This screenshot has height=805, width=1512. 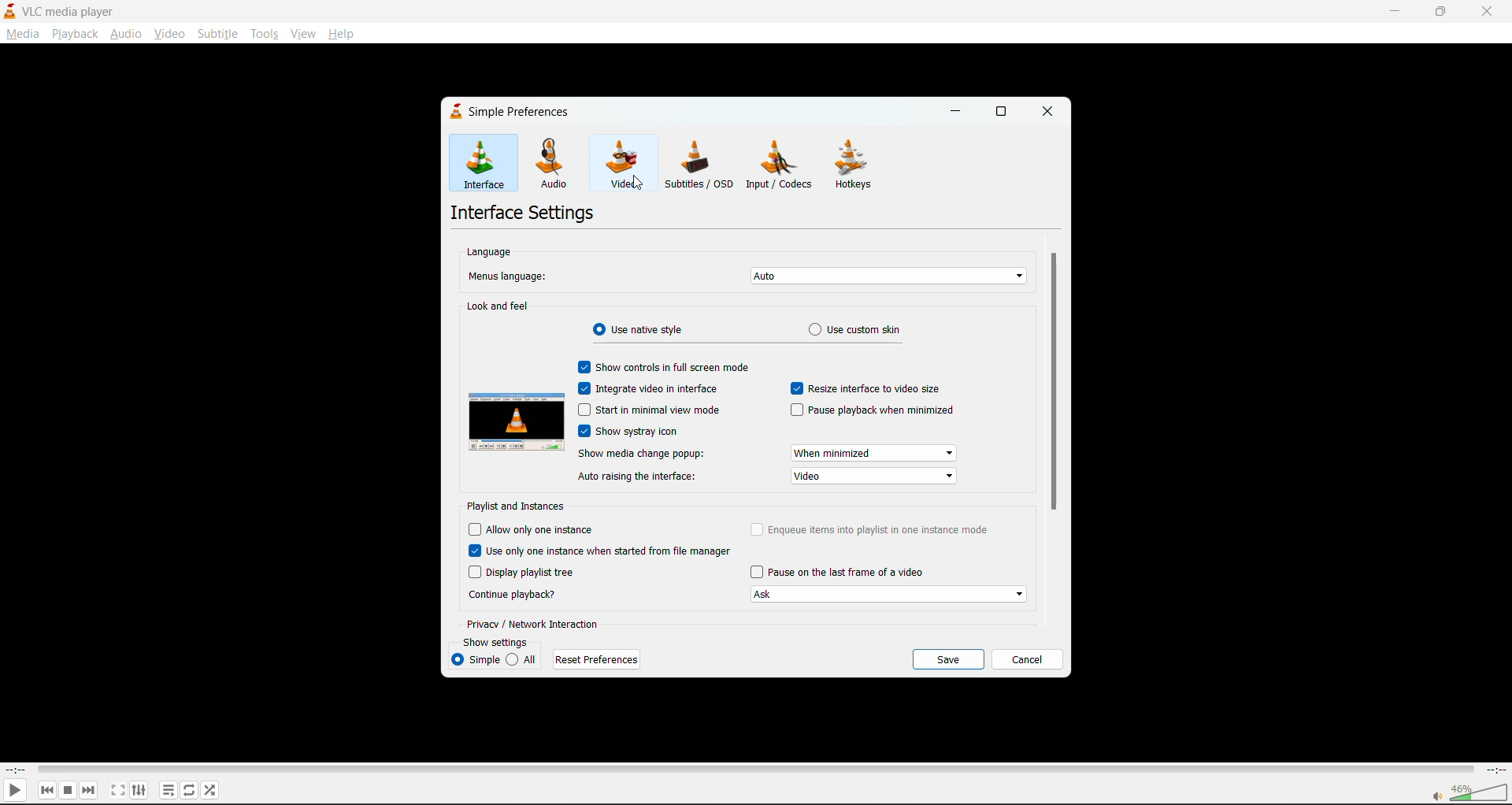 I want to click on fullscreen, so click(x=116, y=789).